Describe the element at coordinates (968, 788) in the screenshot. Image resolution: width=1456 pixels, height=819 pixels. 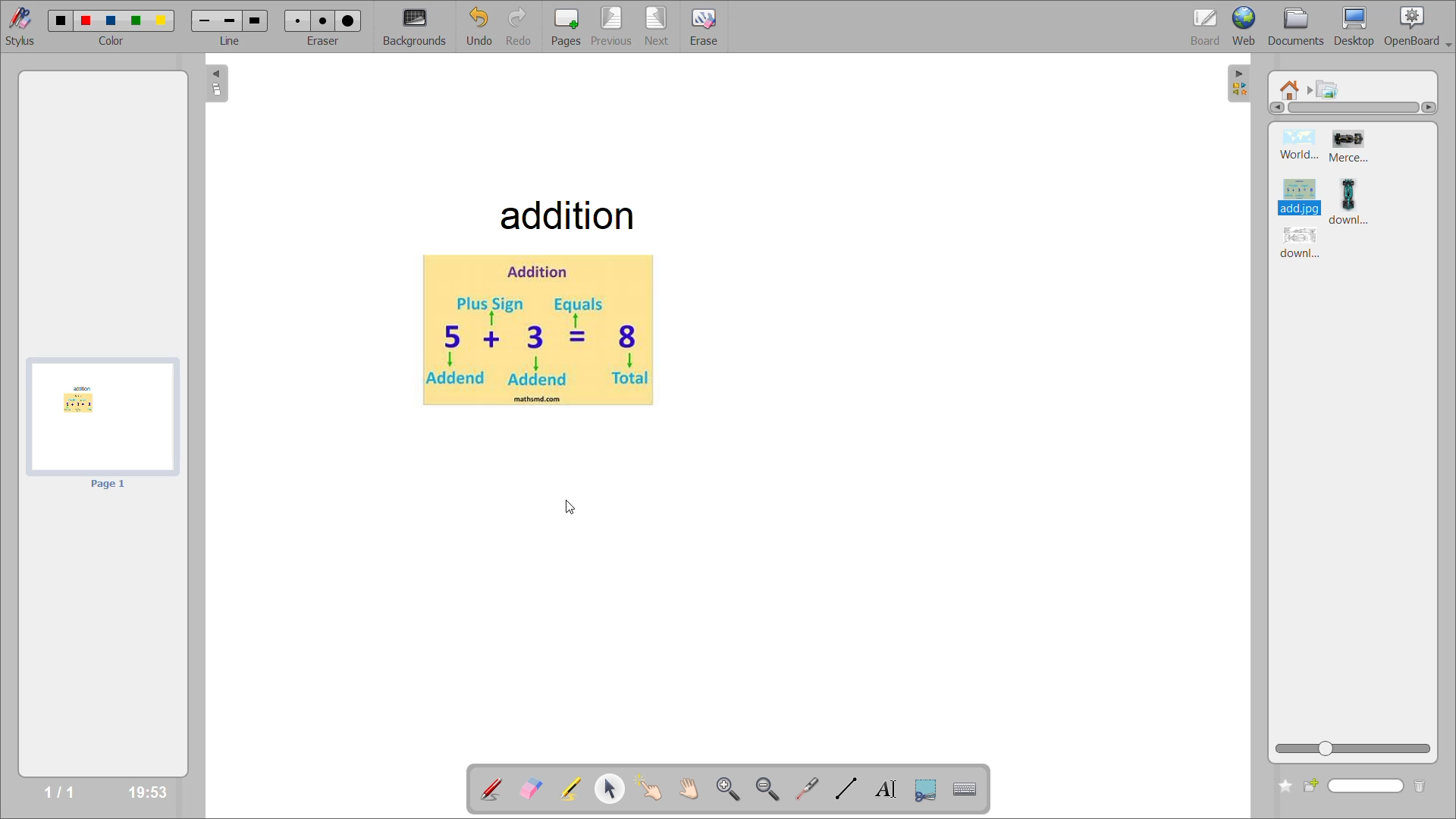
I see `display virtual keyboard` at that location.